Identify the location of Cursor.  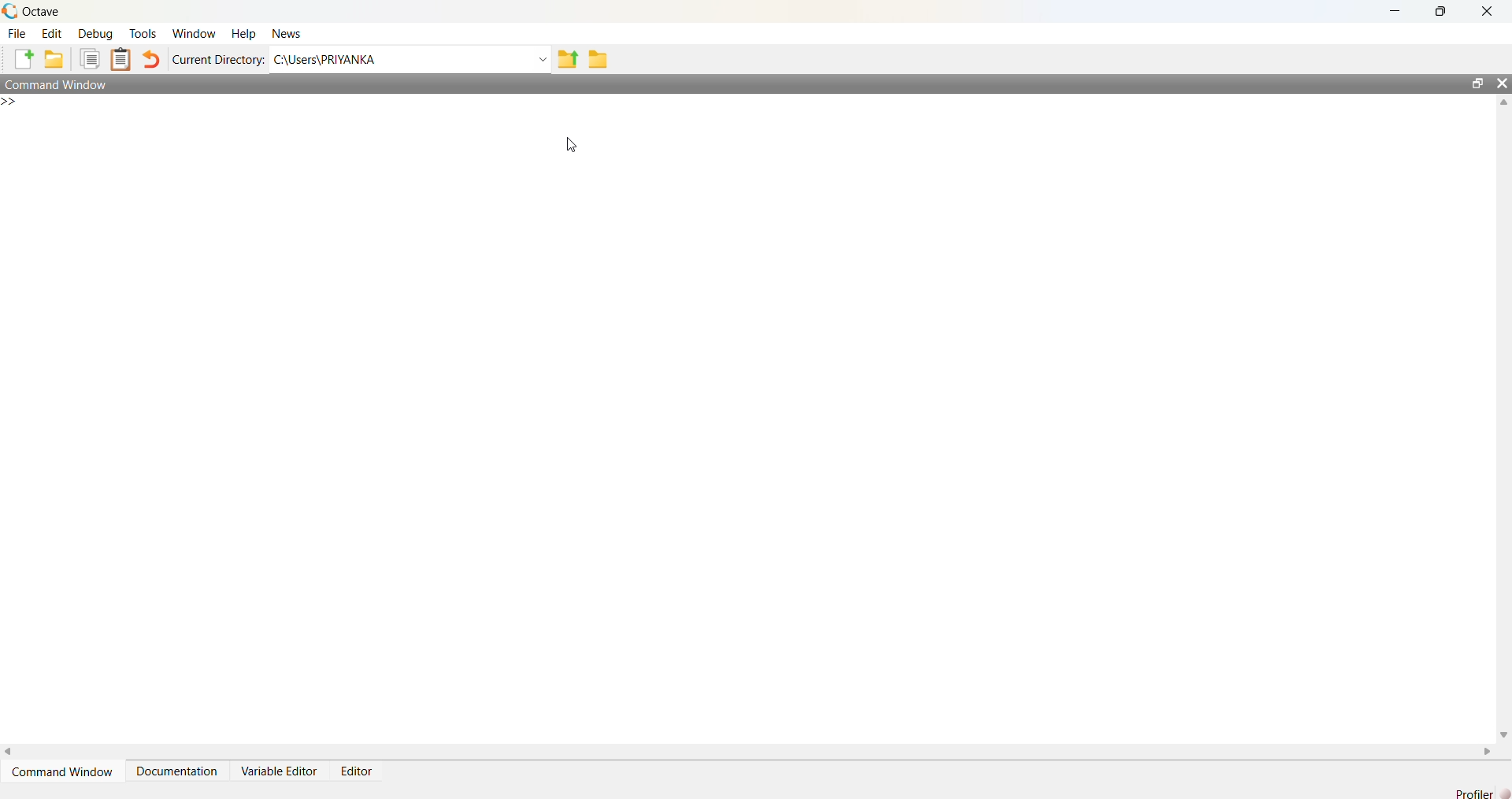
(575, 146).